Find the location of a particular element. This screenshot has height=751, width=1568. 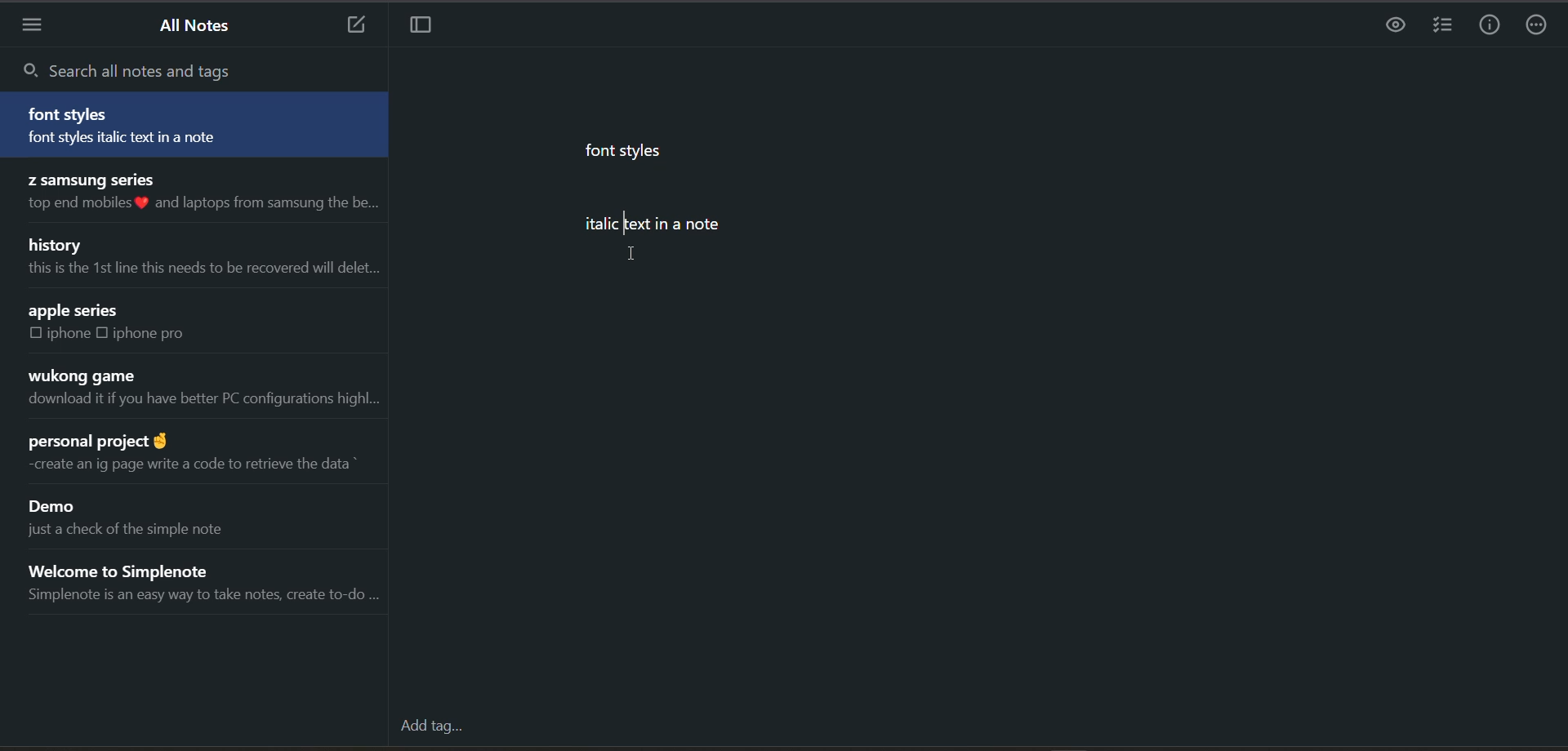

insert checklist is located at coordinates (1443, 26).